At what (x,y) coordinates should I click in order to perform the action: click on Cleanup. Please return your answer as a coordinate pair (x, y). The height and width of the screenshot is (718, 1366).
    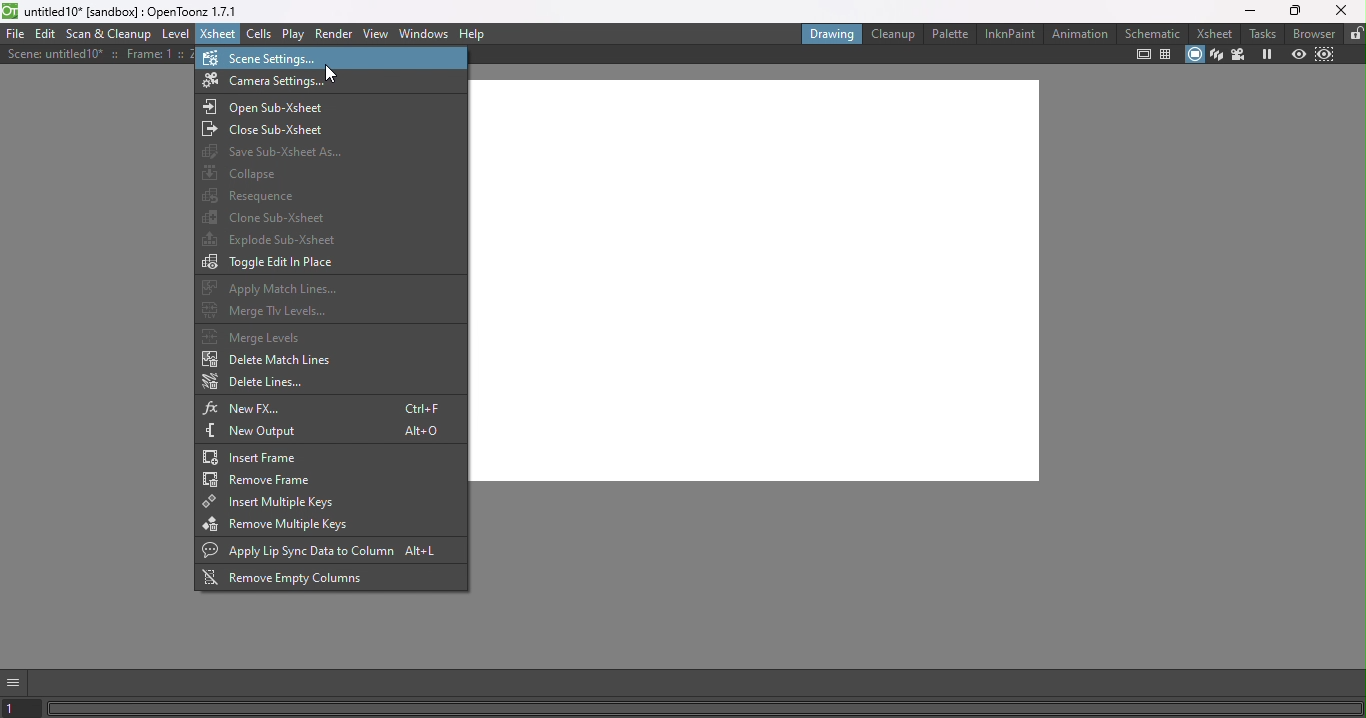
    Looking at the image, I should click on (892, 34).